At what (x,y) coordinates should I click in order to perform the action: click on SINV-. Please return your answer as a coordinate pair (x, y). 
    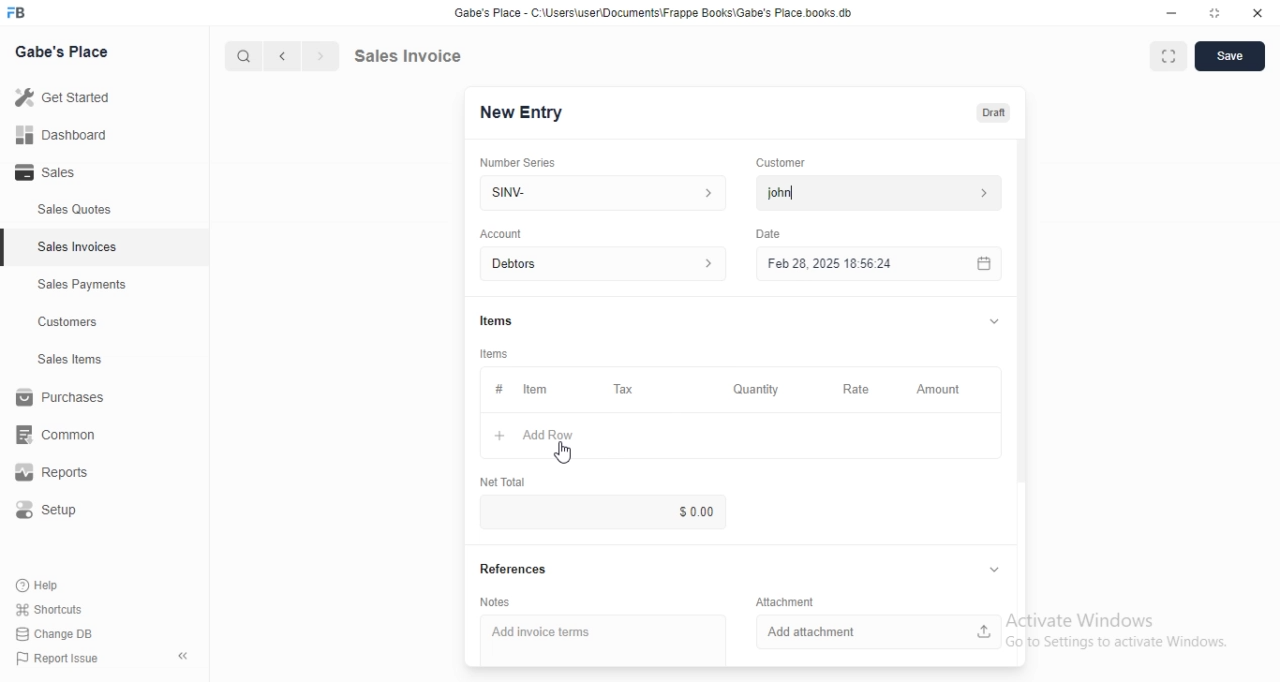
    Looking at the image, I should click on (602, 191).